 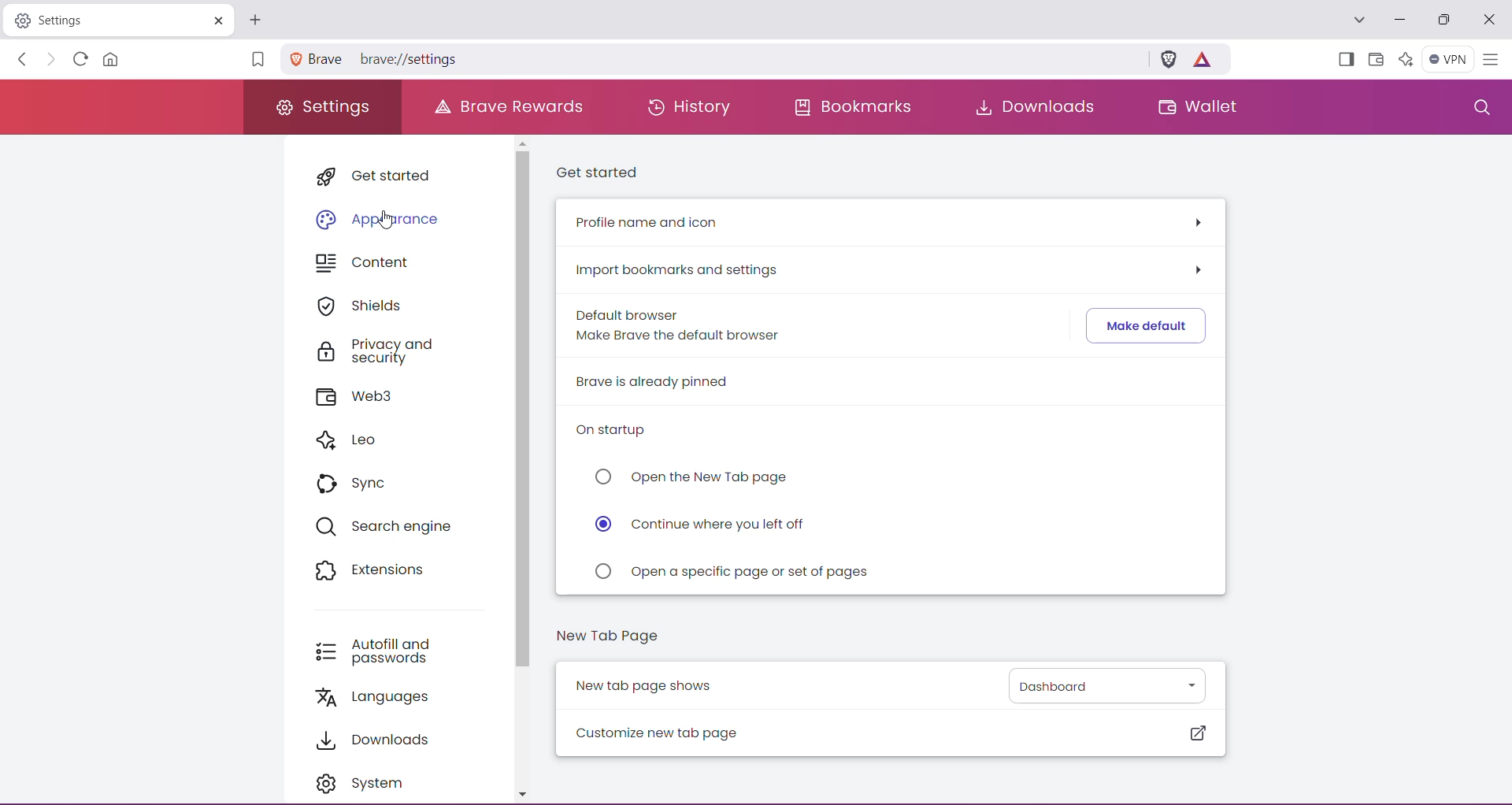 I want to click on Brave is already pinned, so click(x=656, y=380).